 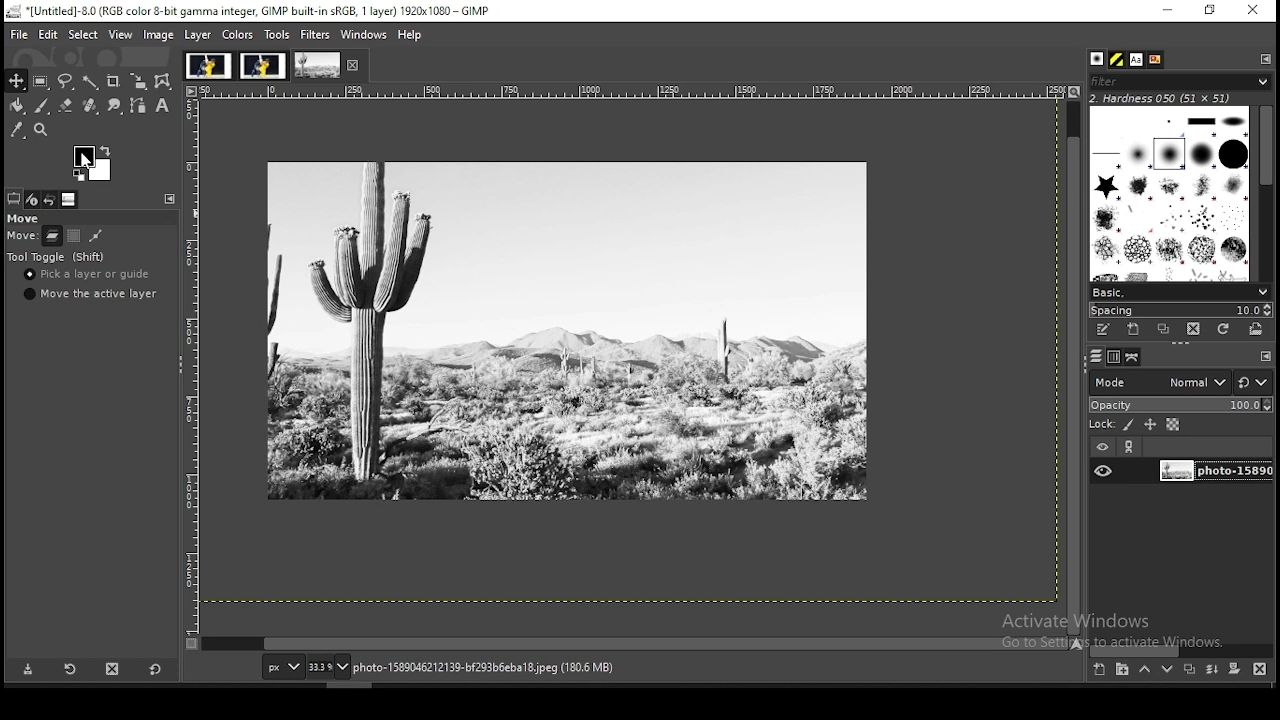 I want to click on move tool, so click(x=15, y=80).